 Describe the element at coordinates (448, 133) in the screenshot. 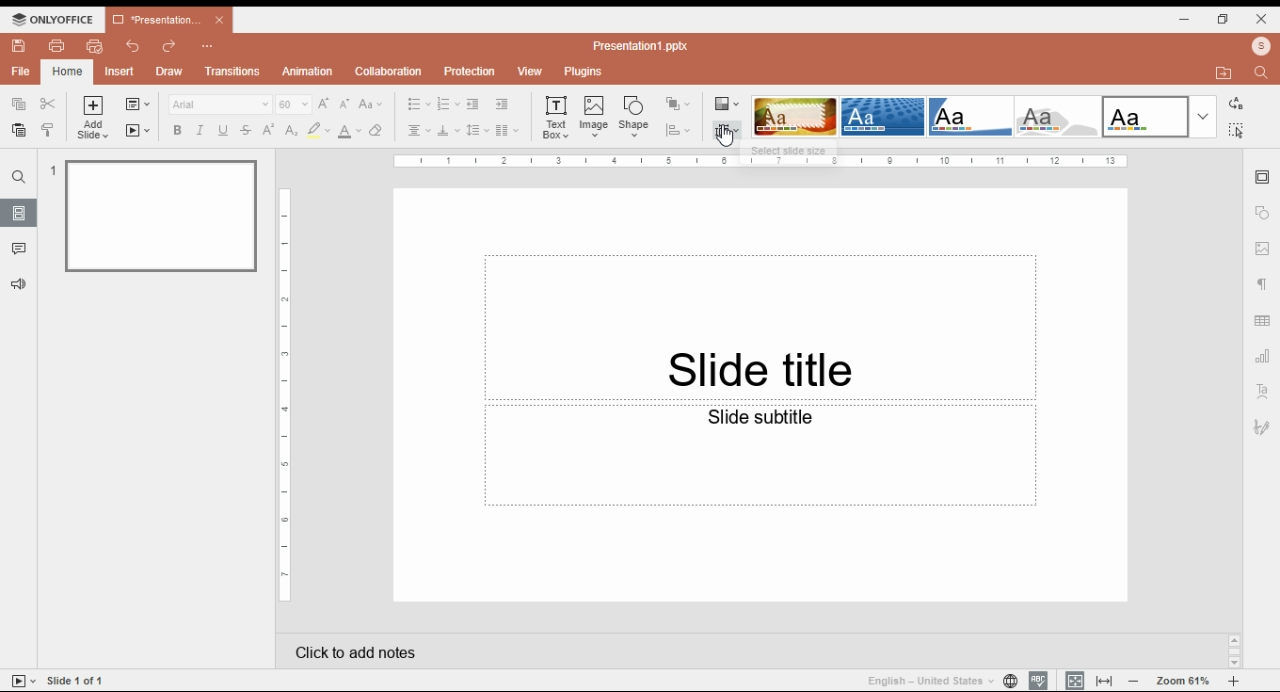

I see `vertical alignment` at that location.